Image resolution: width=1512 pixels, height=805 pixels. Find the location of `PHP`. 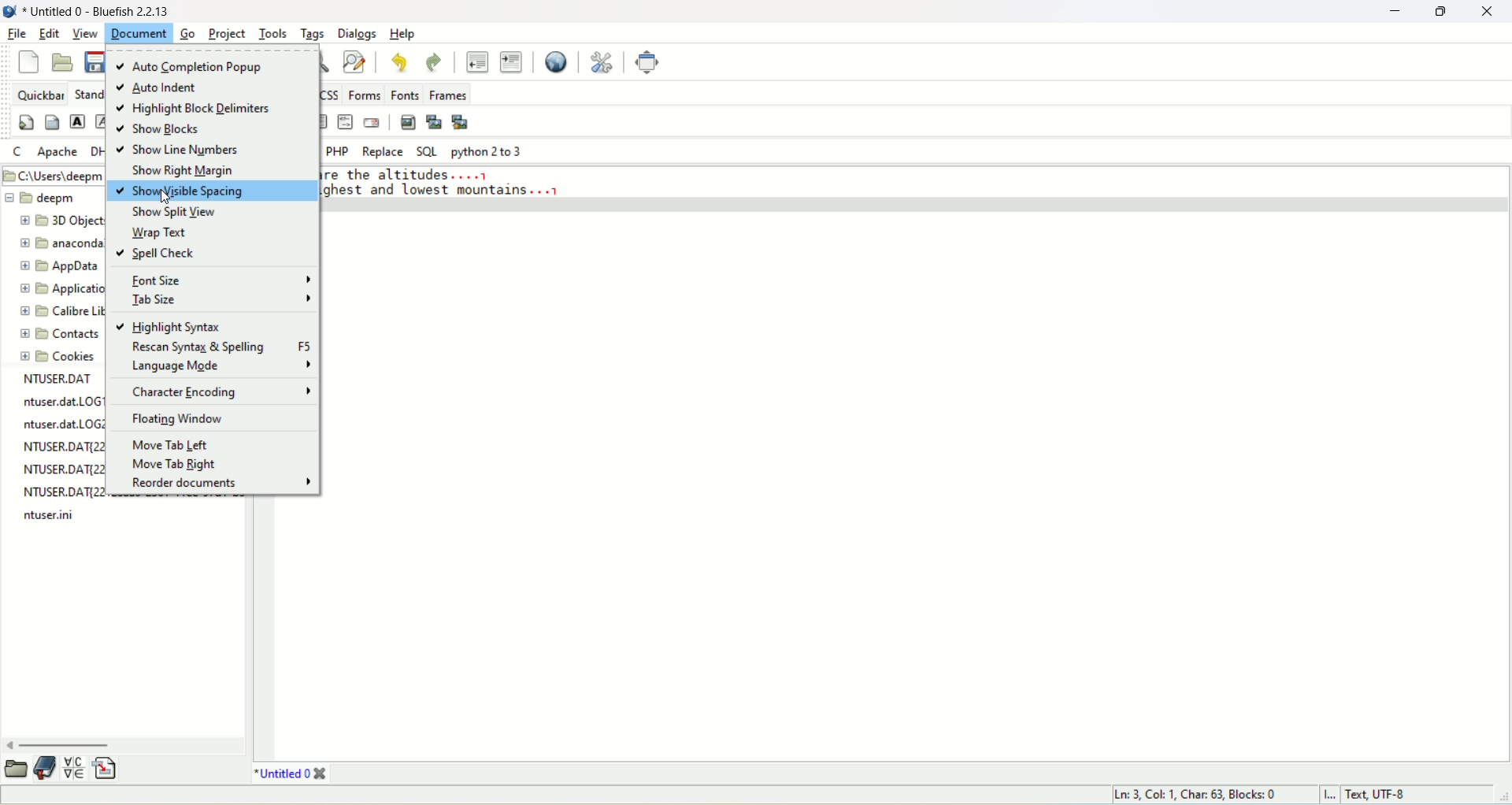

PHP is located at coordinates (336, 150).